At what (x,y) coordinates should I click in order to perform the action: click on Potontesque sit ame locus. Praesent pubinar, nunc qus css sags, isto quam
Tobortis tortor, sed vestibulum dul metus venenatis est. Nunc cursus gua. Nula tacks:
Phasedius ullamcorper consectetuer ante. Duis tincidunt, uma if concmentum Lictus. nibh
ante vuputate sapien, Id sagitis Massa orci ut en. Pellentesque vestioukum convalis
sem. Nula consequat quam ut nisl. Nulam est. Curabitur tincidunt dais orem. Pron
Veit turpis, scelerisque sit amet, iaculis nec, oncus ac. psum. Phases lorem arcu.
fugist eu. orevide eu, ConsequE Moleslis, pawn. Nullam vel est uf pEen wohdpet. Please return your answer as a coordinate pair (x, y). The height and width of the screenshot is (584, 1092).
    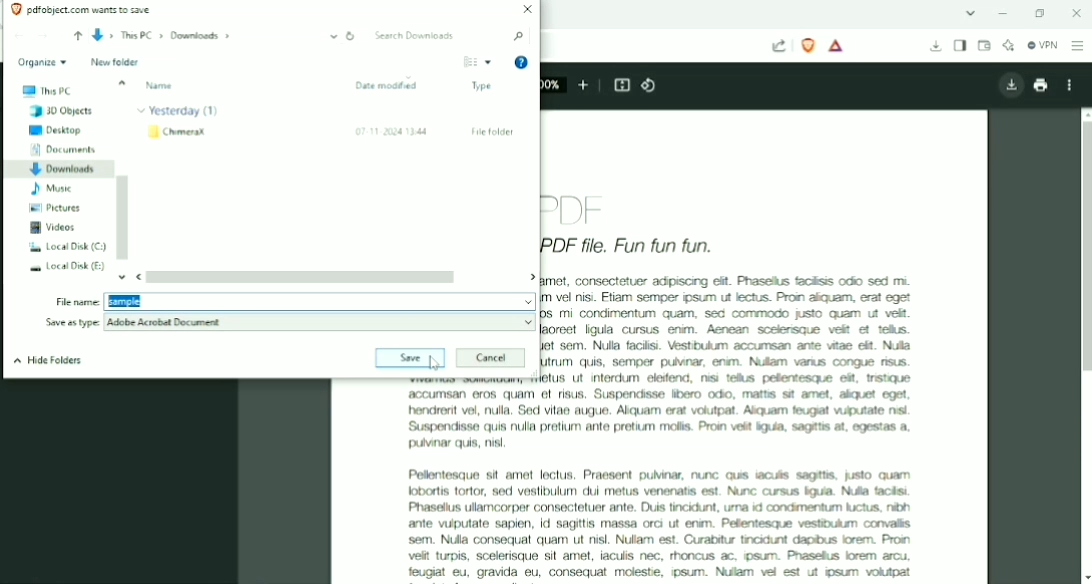
    Looking at the image, I should click on (661, 519).